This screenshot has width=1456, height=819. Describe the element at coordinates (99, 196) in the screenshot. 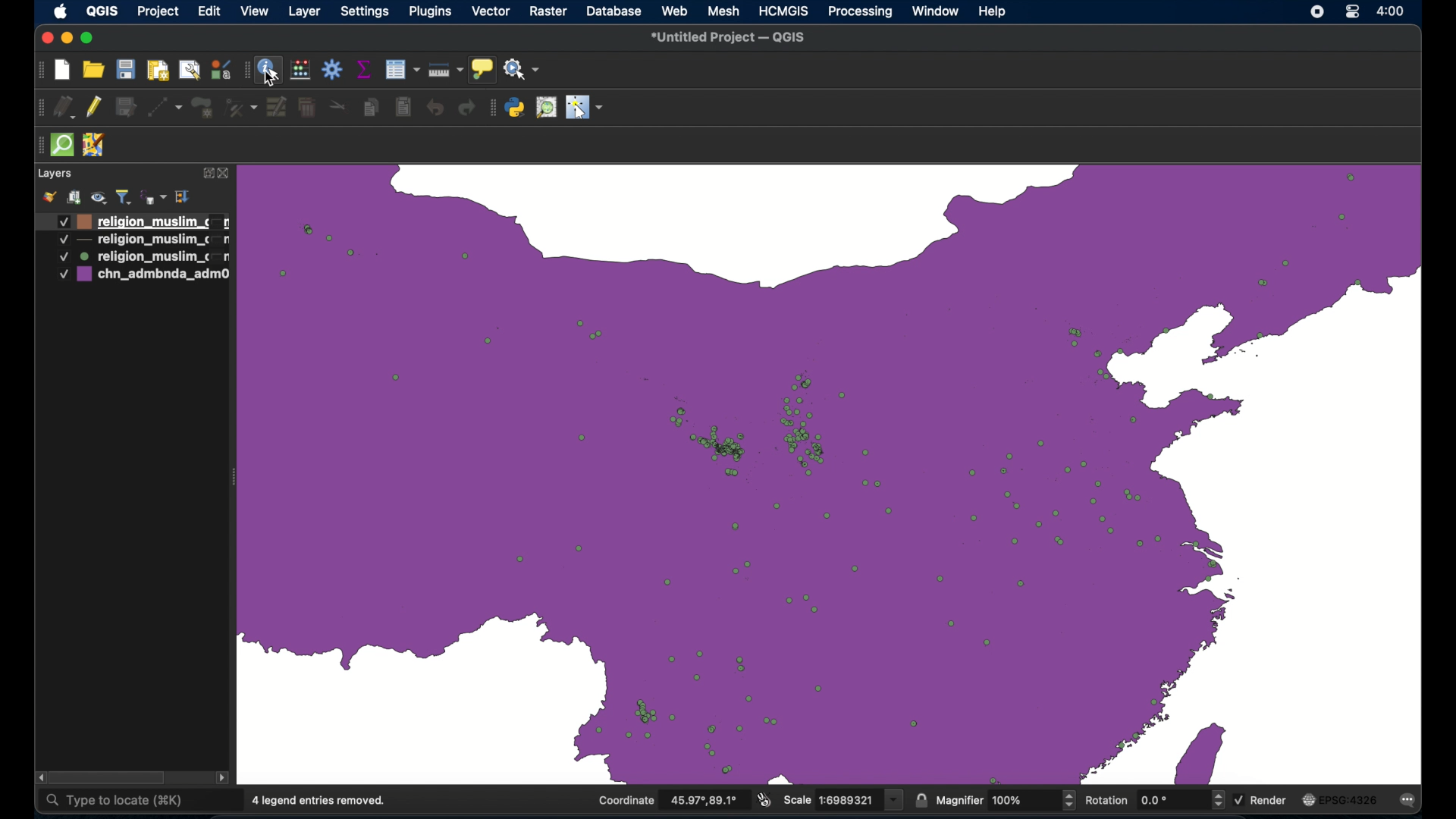

I see `manage map theme` at that location.